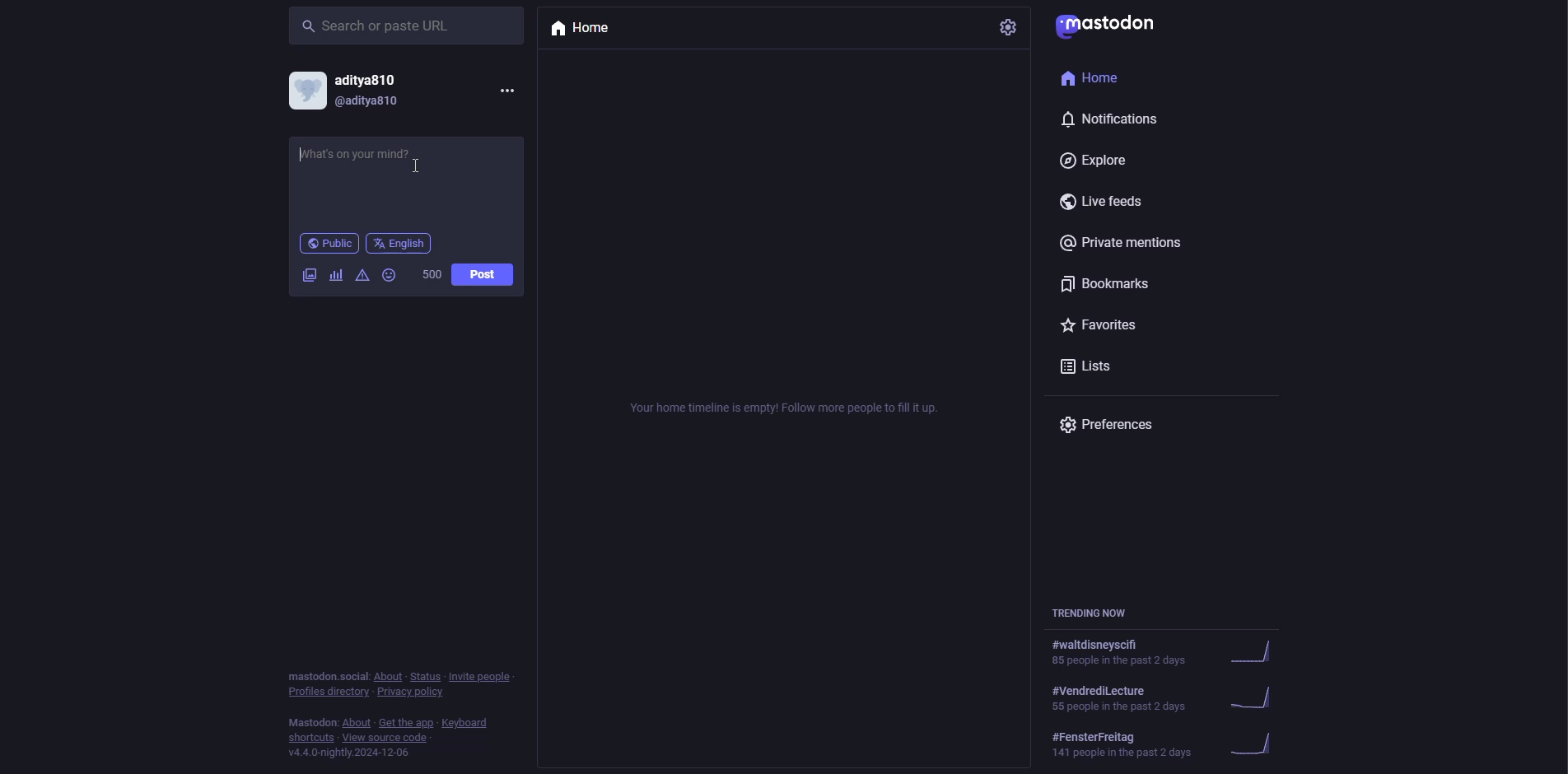 The height and width of the screenshot is (774, 1568). What do you see at coordinates (1169, 697) in the screenshot?
I see `trending now` at bounding box center [1169, 697].